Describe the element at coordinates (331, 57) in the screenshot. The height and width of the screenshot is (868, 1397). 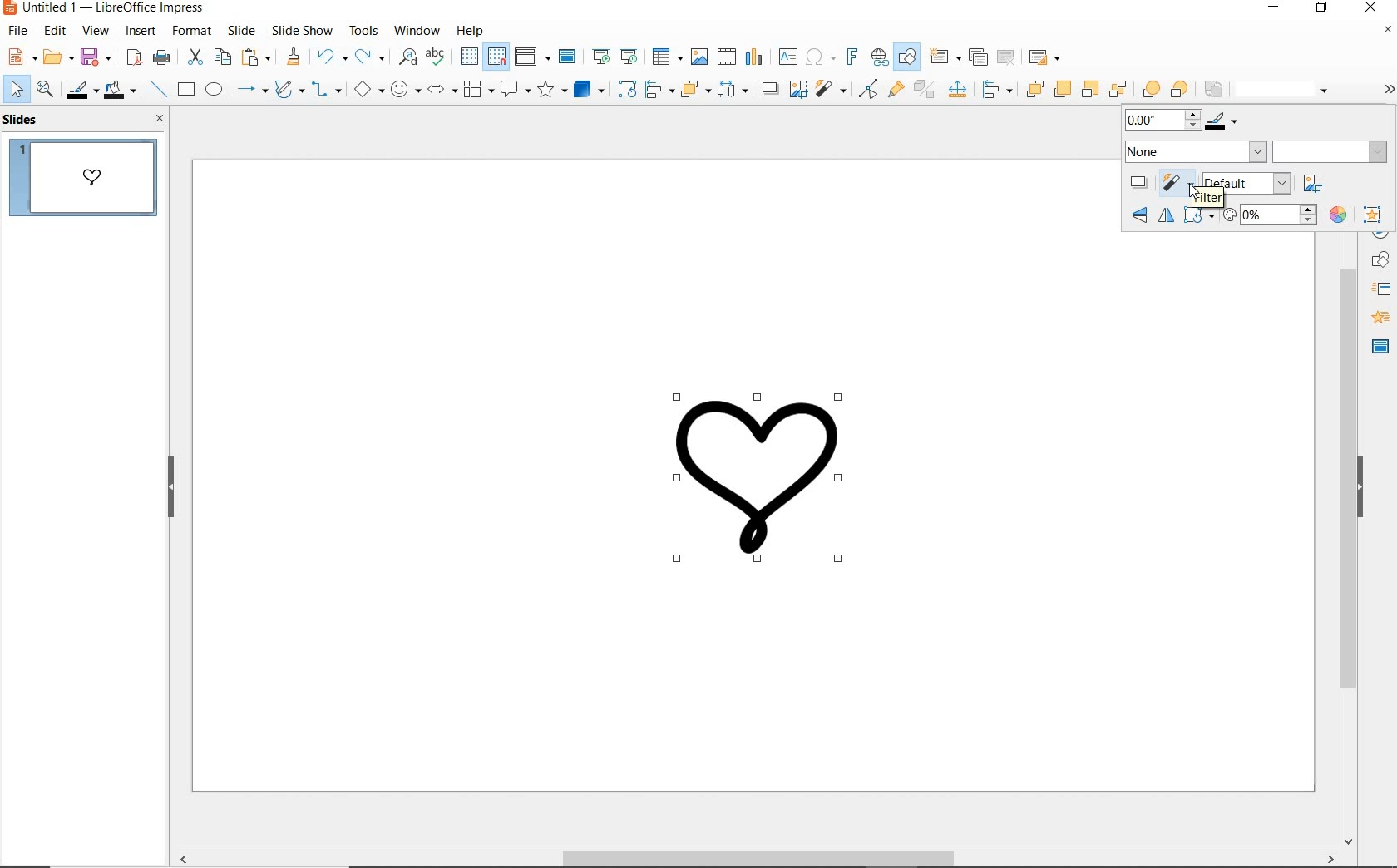
I see `undo` at that location.